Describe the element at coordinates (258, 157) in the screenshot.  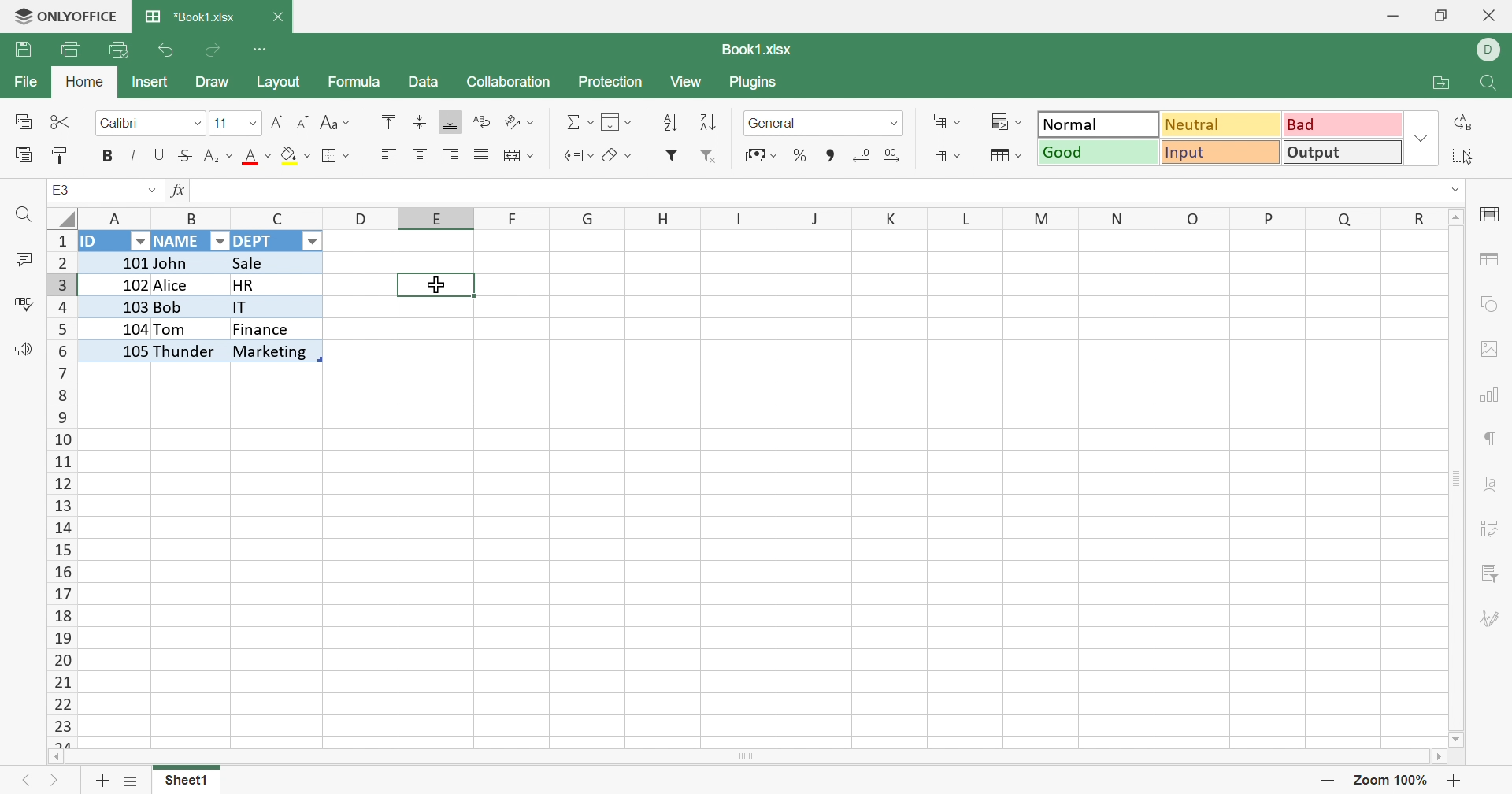
I see `Font color` at that location.